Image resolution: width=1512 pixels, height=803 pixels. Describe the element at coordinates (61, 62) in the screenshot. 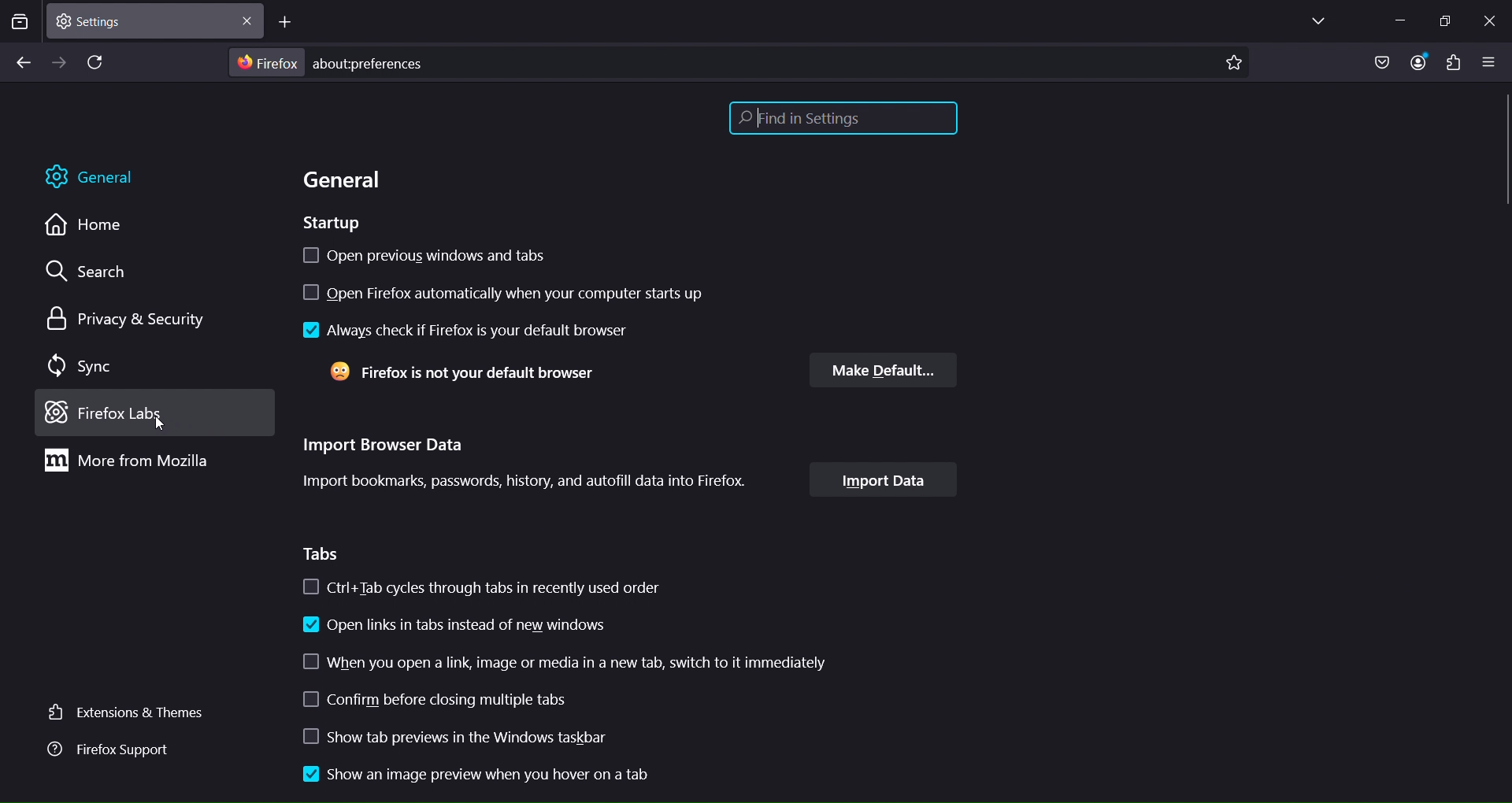

I see `go forward one page` at that location.